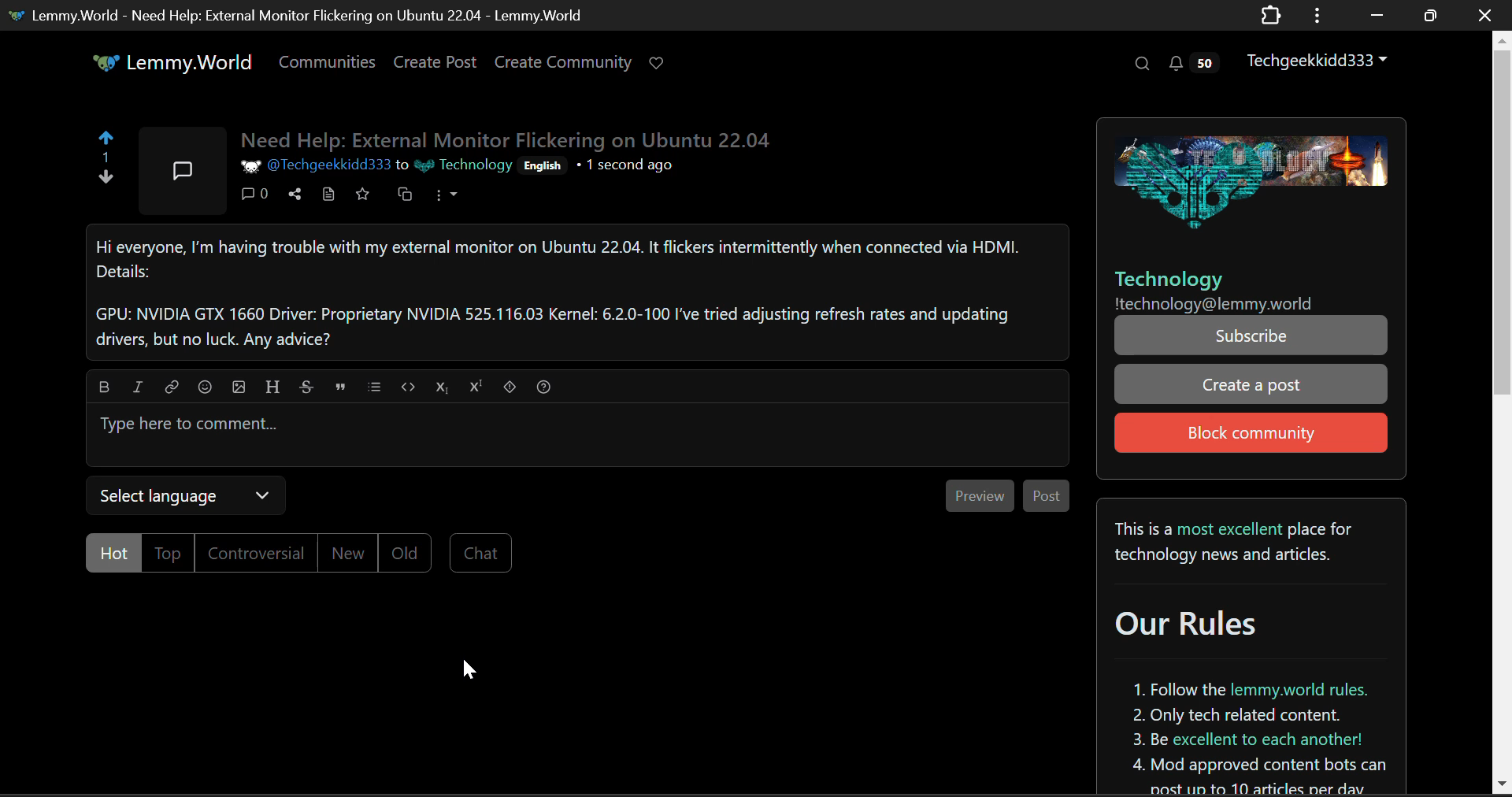  What do you see at coordinates (510, 386) in the screenshot?
I see `Spoiler` at bounding box center [510, 386].